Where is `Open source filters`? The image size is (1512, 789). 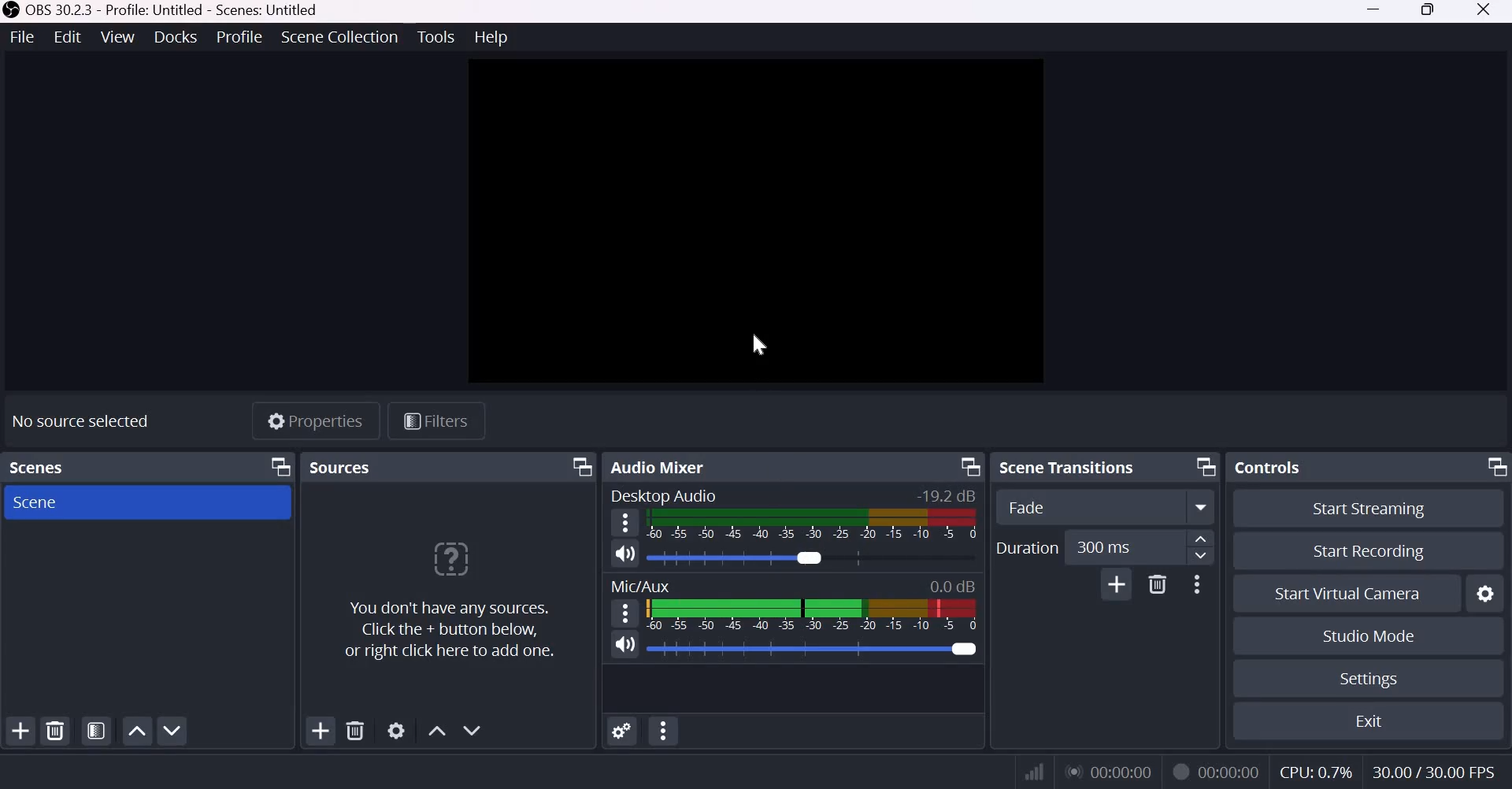 Open source filters is located at coordinates (436, 420).